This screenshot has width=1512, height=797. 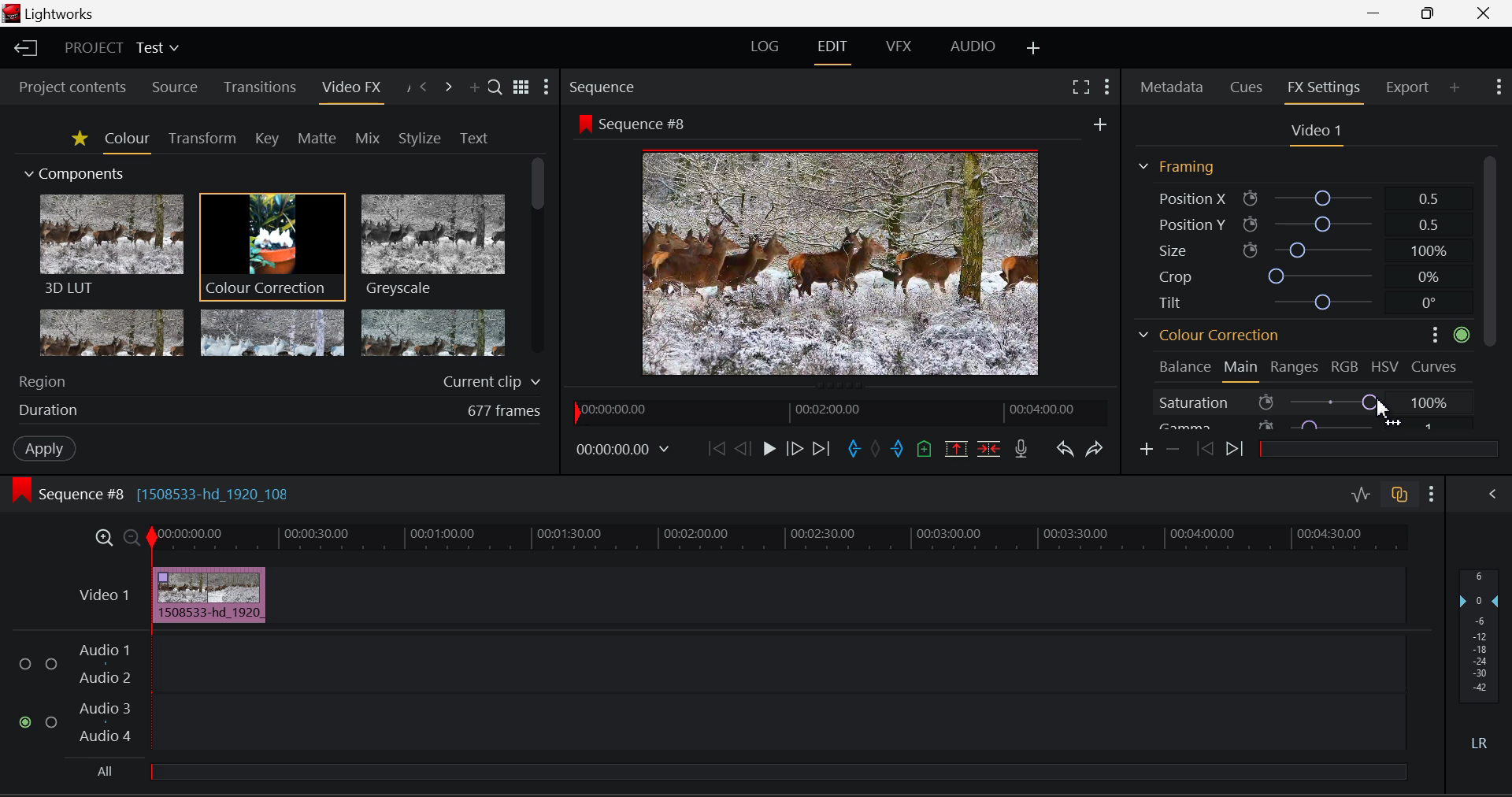 What do you see at coordinates (317, 139) in the screenshot?
I see `Matte` at bounding box center [317, 139].